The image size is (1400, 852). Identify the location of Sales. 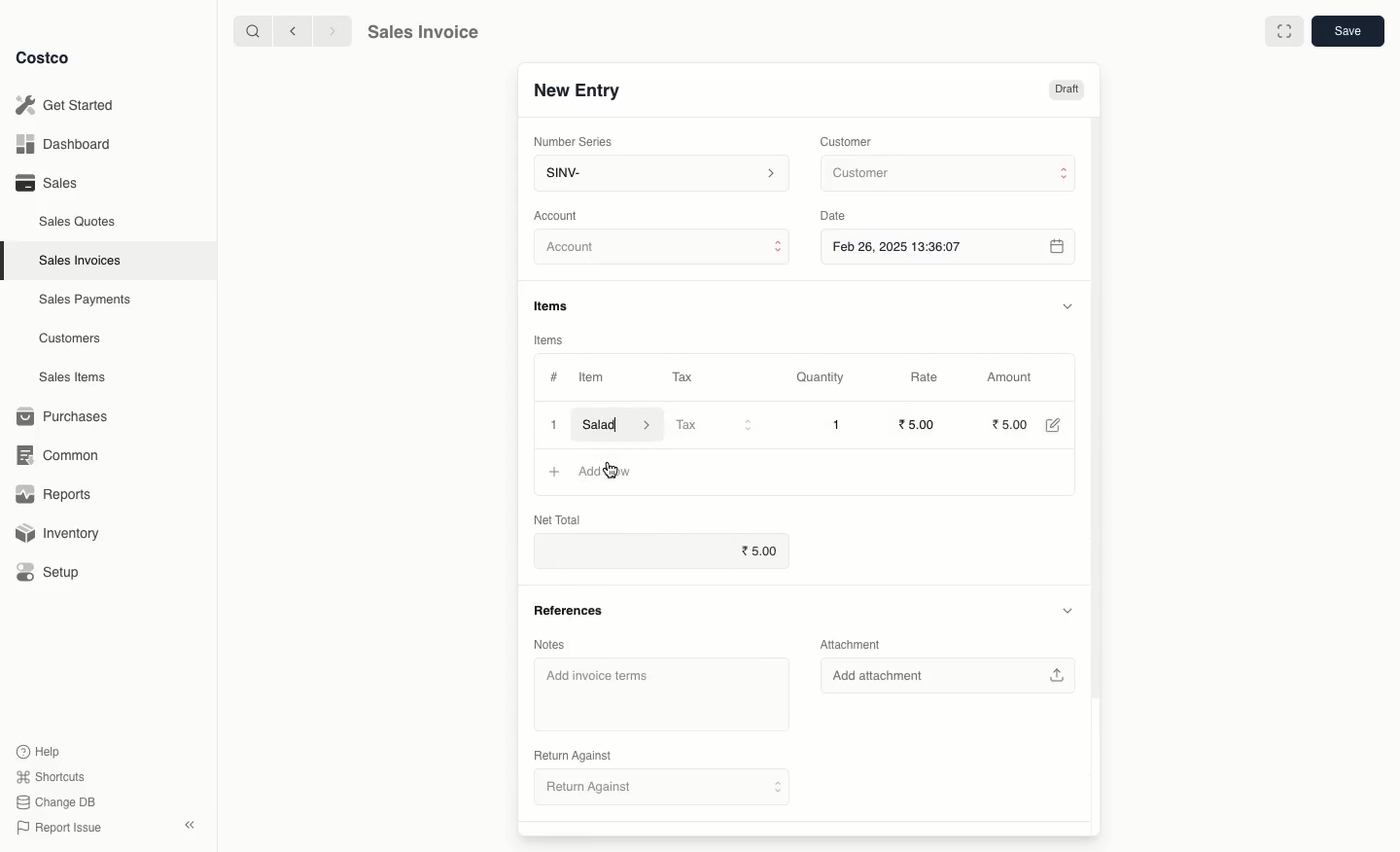
(46, 183).